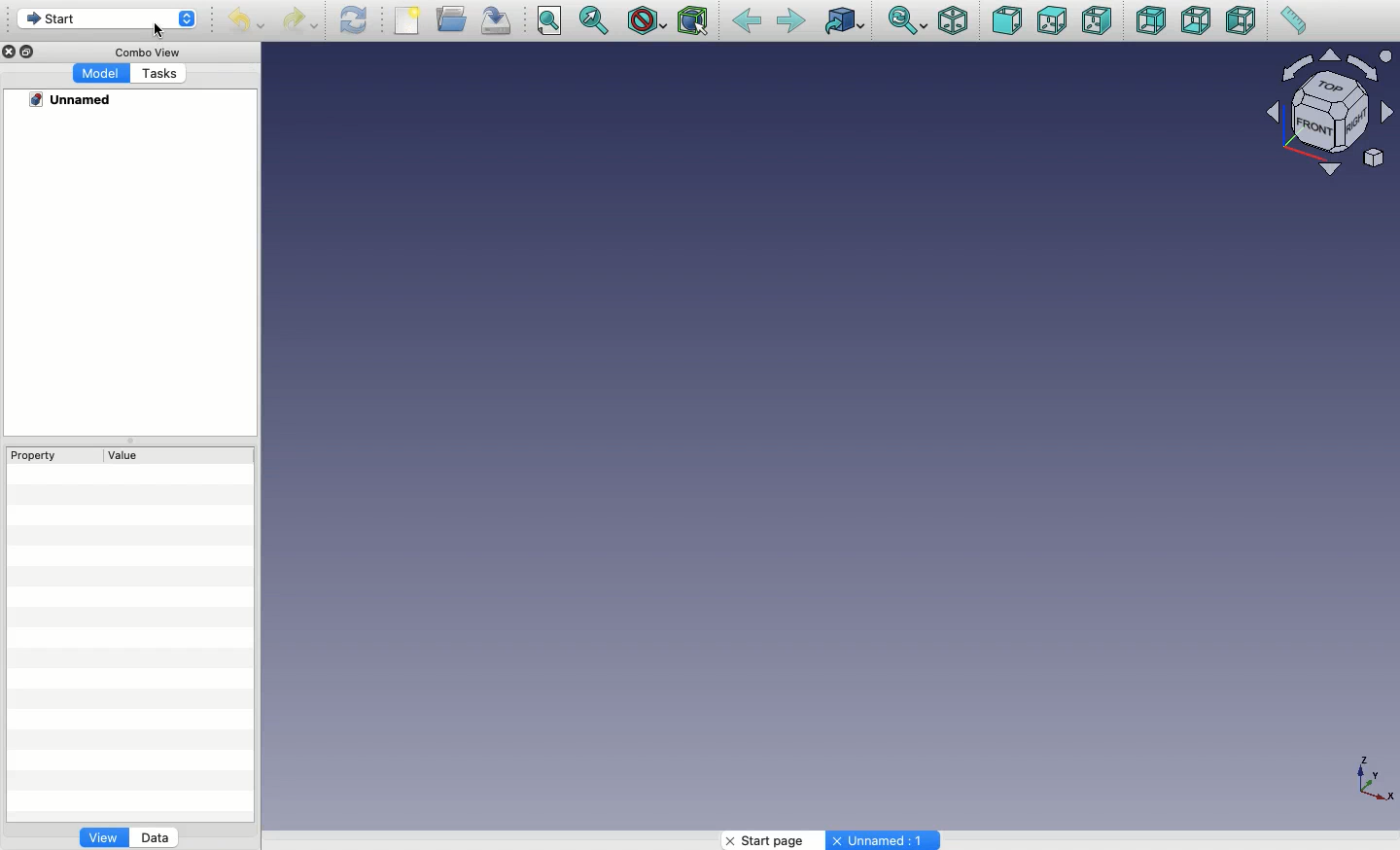 The width and height of the screenshot is (1400, 850). Describe the element at coordinates (166, 32) in the screenshot. I see `Click` at that location.